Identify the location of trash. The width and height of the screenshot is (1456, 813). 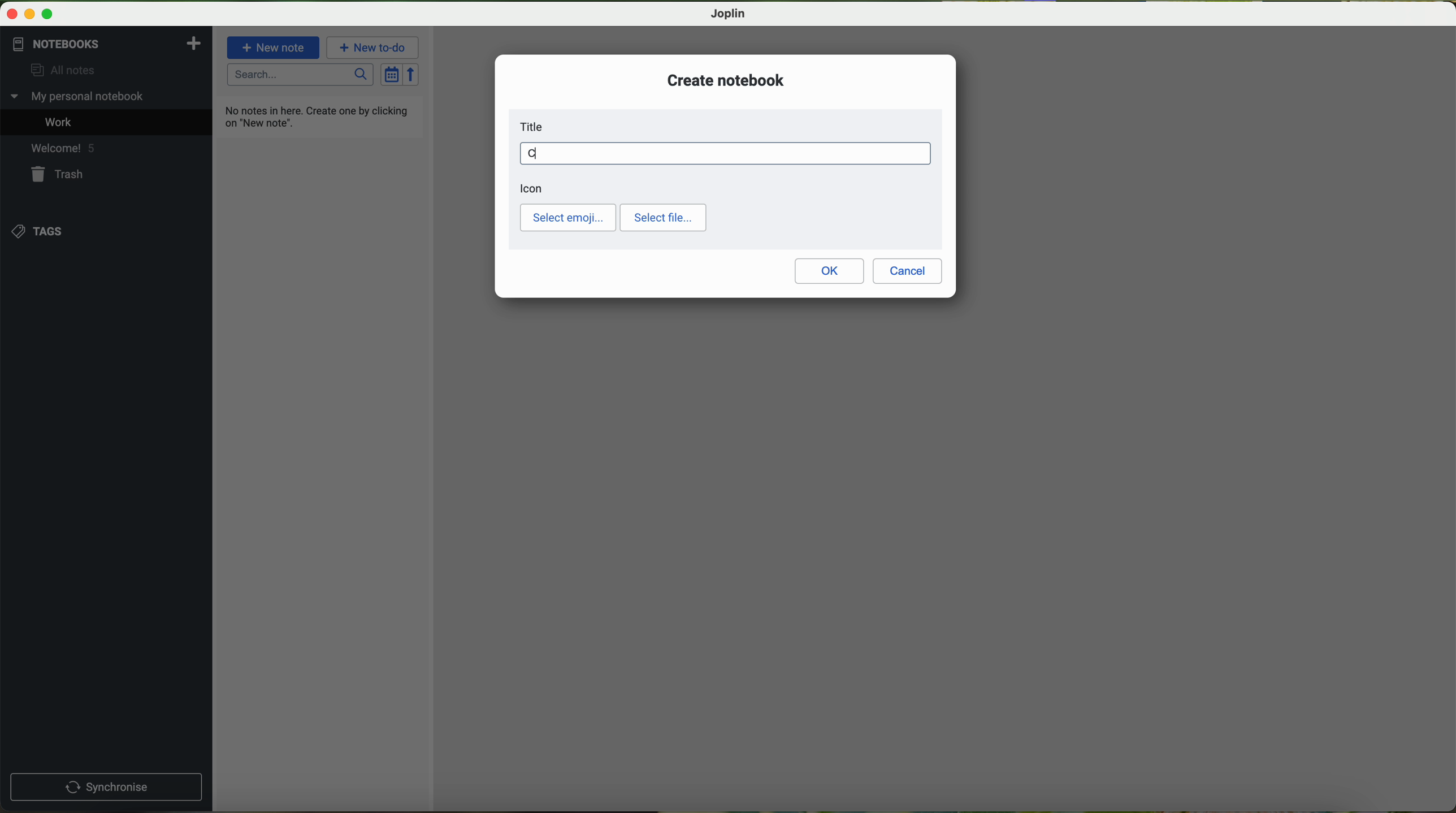
(60, 174).